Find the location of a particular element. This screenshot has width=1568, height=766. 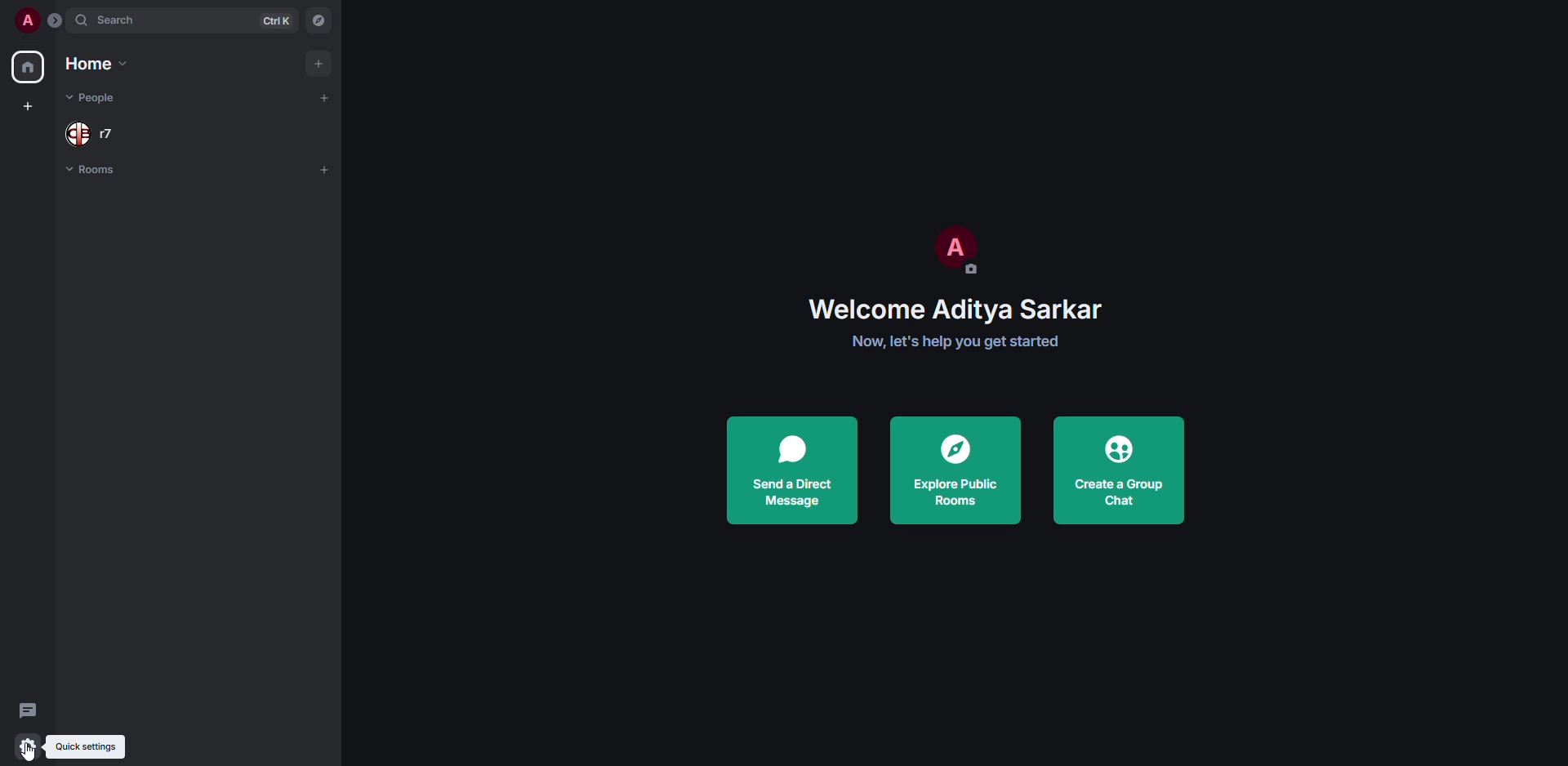

navigator is located at coordinates (323, 20).